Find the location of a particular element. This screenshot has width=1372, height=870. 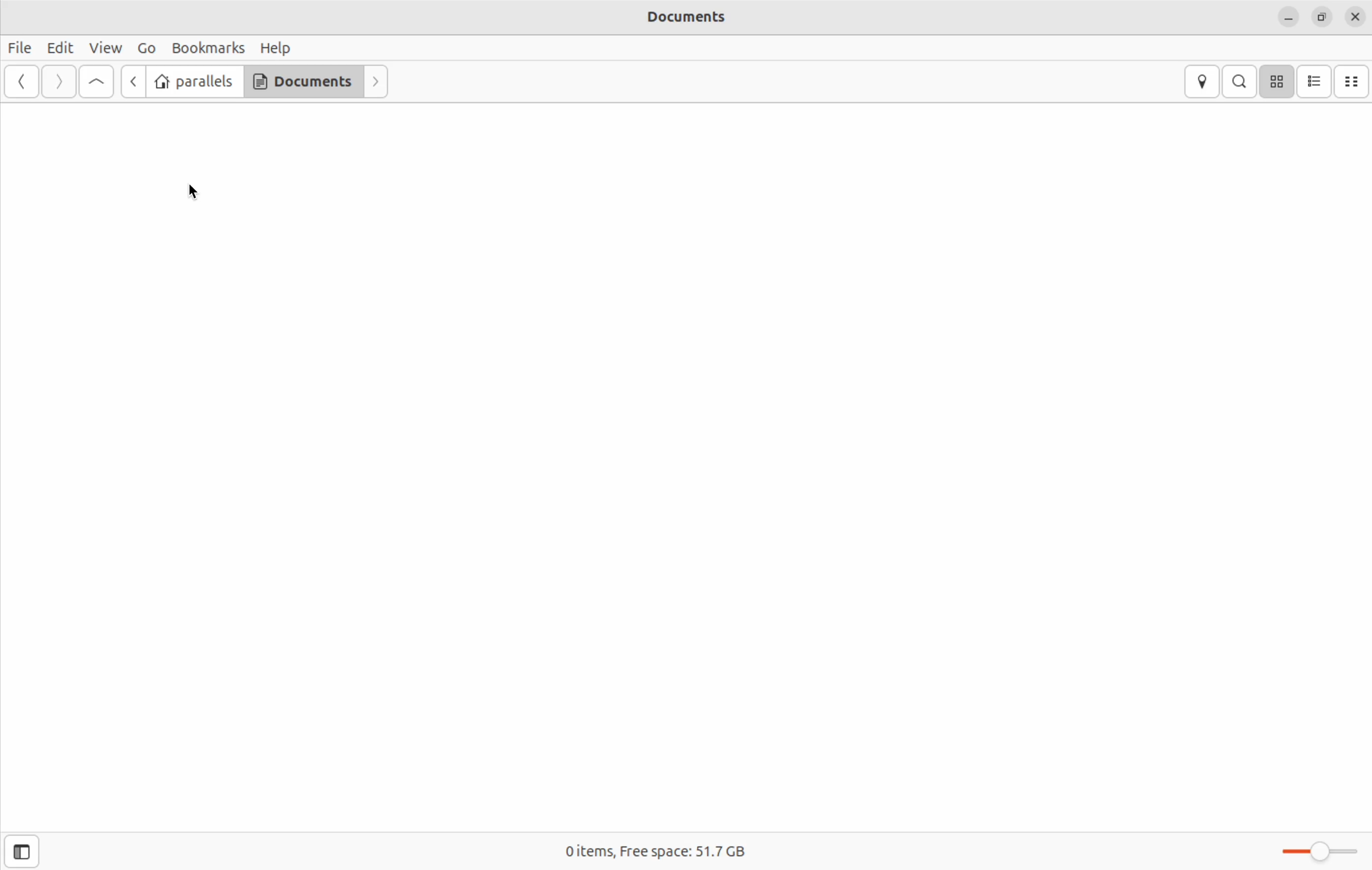

Go up is located at coordinates (99, 82).